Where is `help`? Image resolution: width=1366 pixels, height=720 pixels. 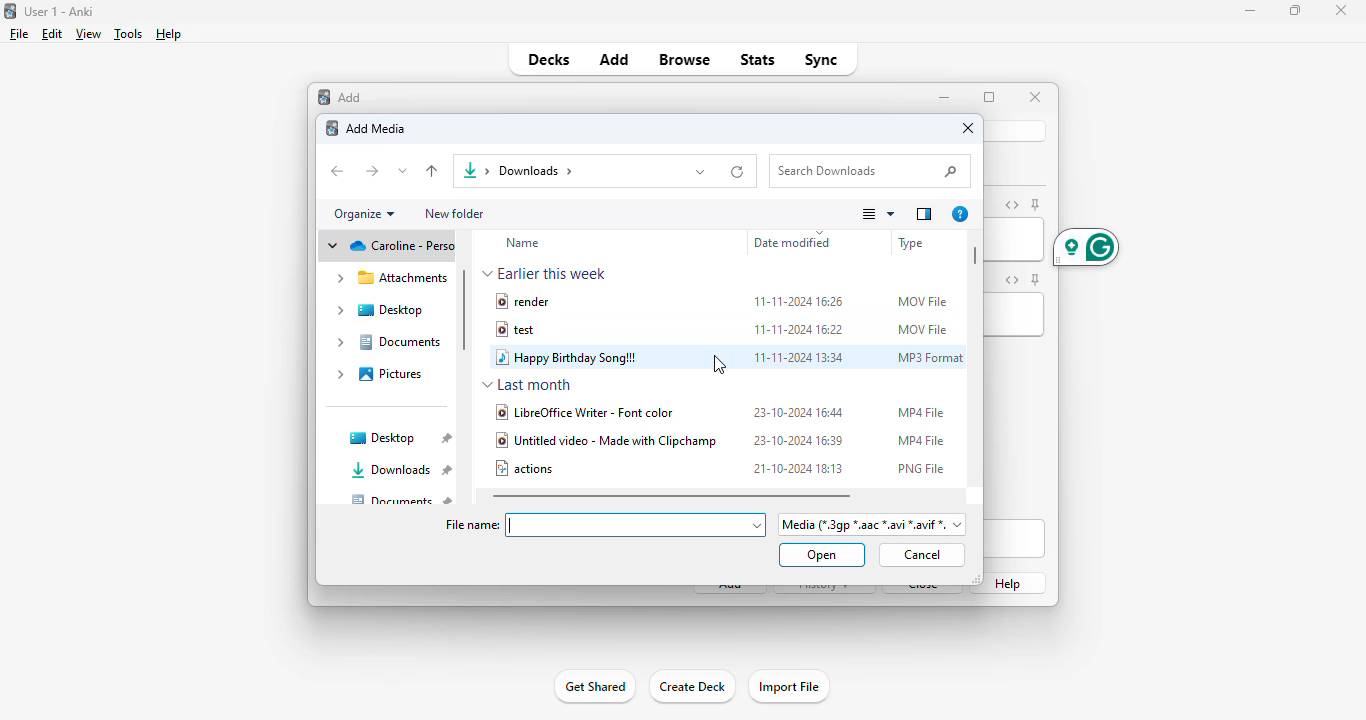
help is located at coordinates (169, 34).